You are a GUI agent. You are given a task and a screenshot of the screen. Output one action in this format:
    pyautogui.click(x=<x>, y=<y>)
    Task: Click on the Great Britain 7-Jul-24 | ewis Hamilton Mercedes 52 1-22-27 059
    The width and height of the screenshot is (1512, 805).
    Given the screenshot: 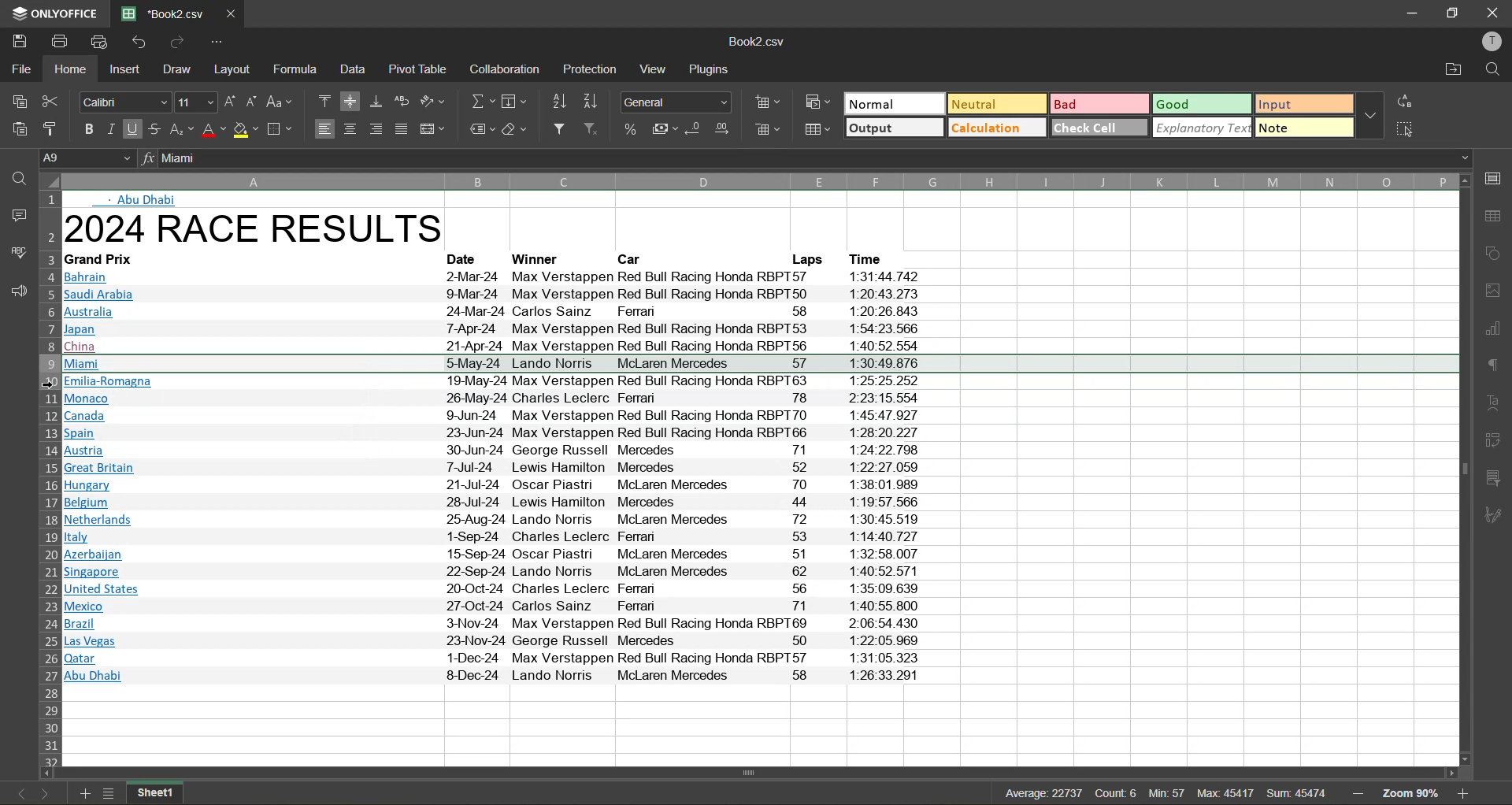 What is the action you would take?
    pyautogui.click(x=492, y=469)
    